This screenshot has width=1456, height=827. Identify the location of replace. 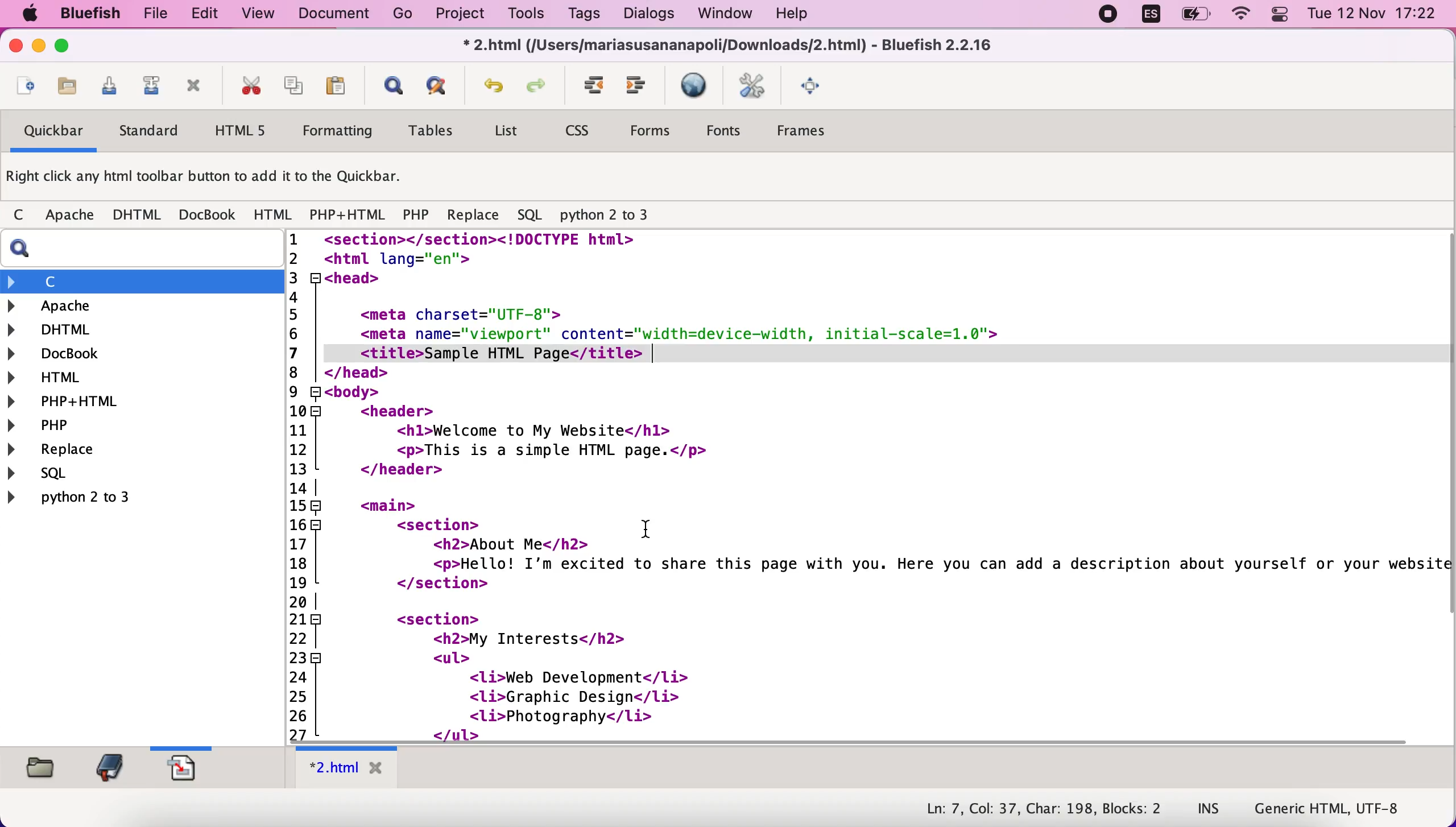
(476, 214).